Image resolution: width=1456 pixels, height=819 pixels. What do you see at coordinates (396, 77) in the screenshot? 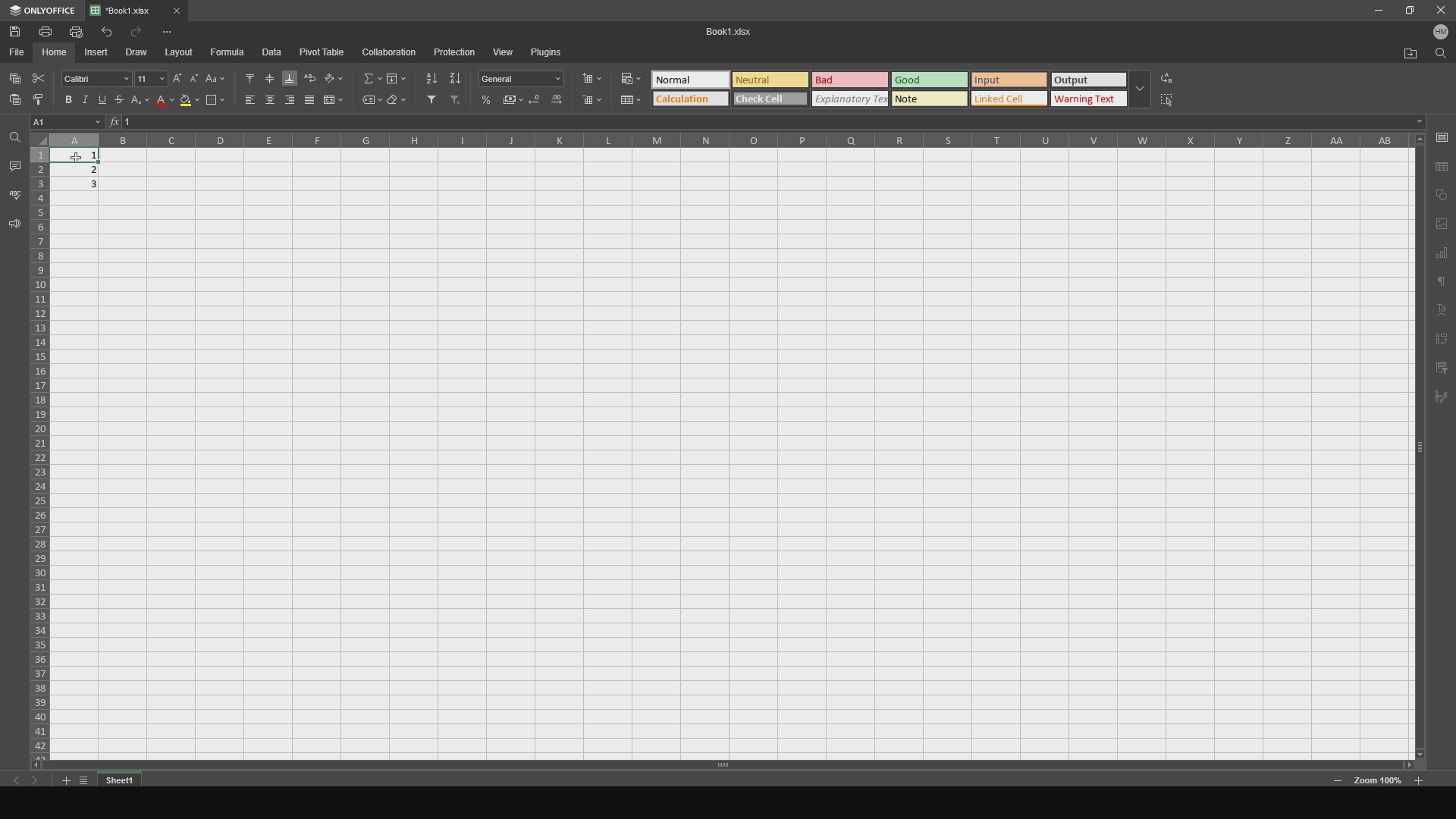
I see `fill` at bounding box center [396, 77].